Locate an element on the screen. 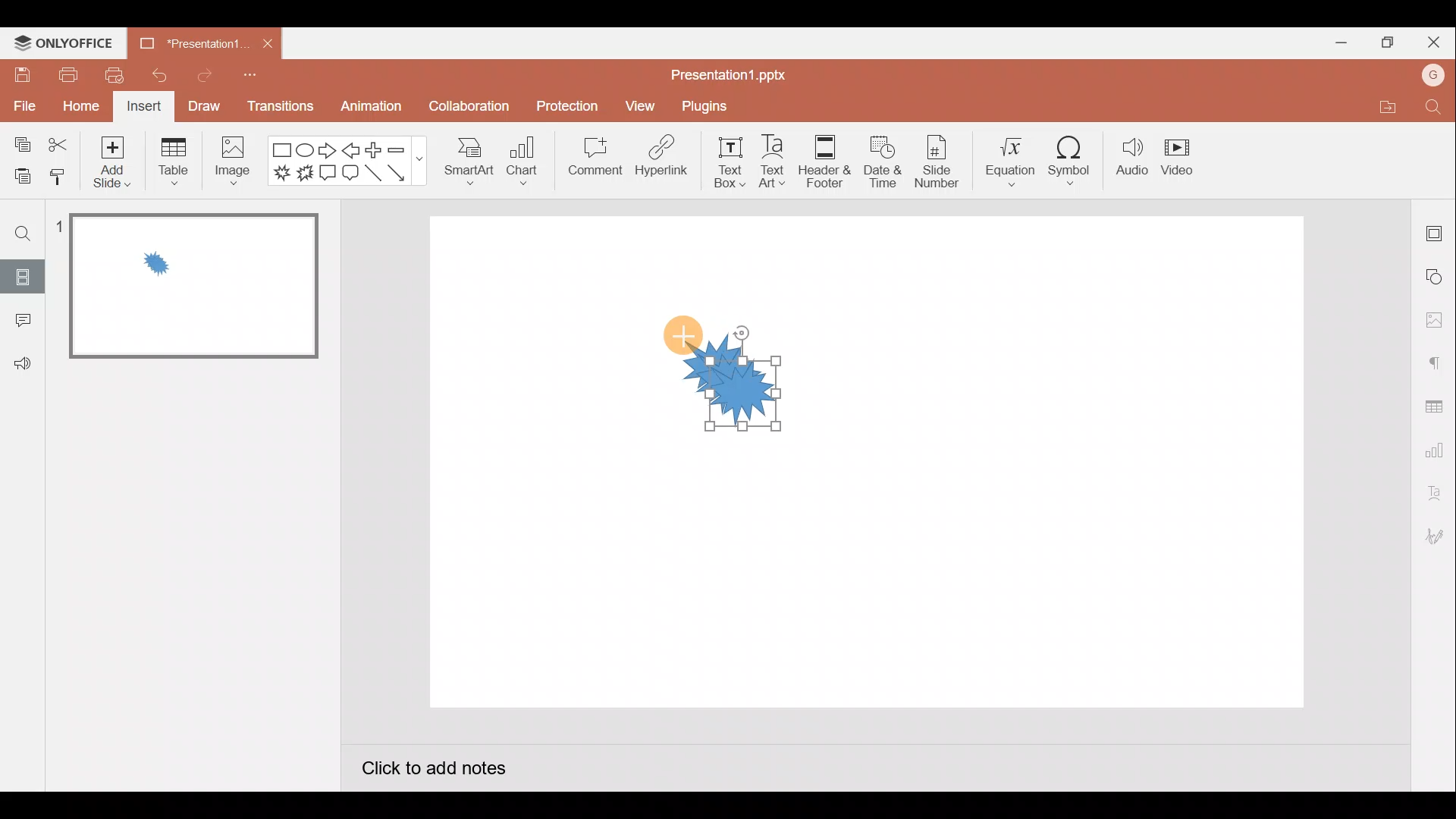 Image resolution: width=1456 pixels, height=819 pixels. Insert is located at coordinates (146, 107).